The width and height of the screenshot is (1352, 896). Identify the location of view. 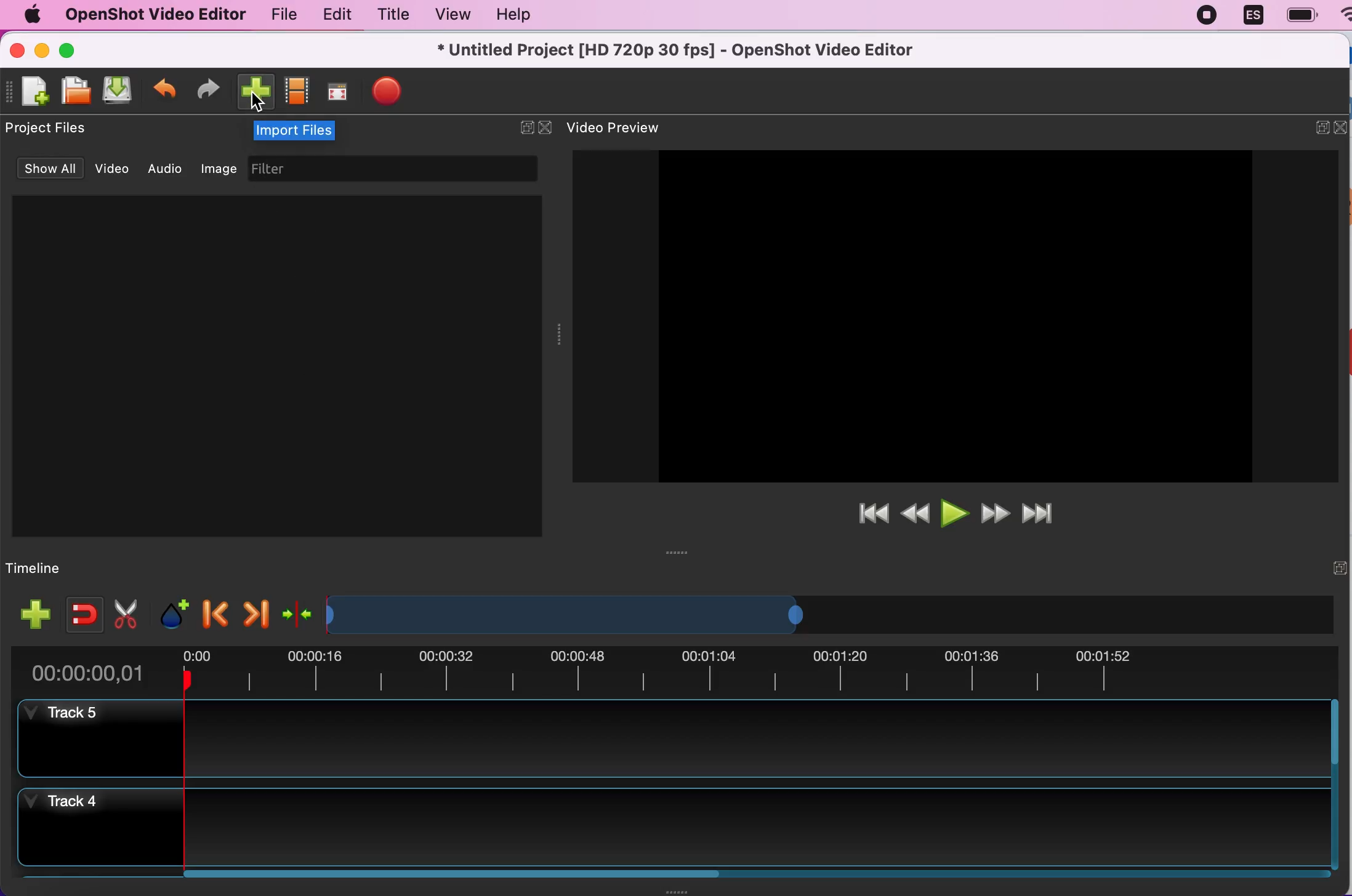
(449, 14).